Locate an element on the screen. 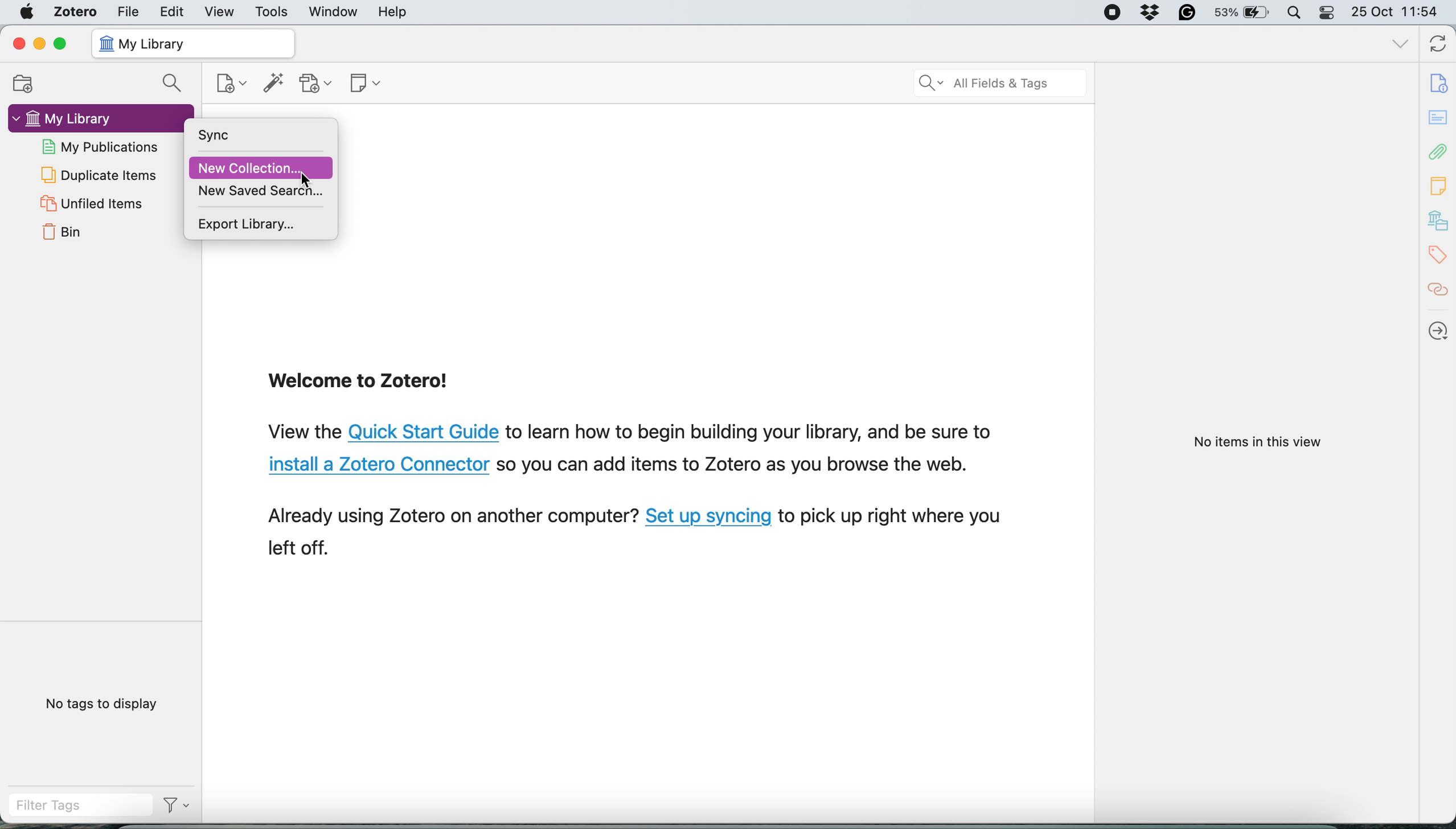  duplicate items is located at coordinates (99, 175).